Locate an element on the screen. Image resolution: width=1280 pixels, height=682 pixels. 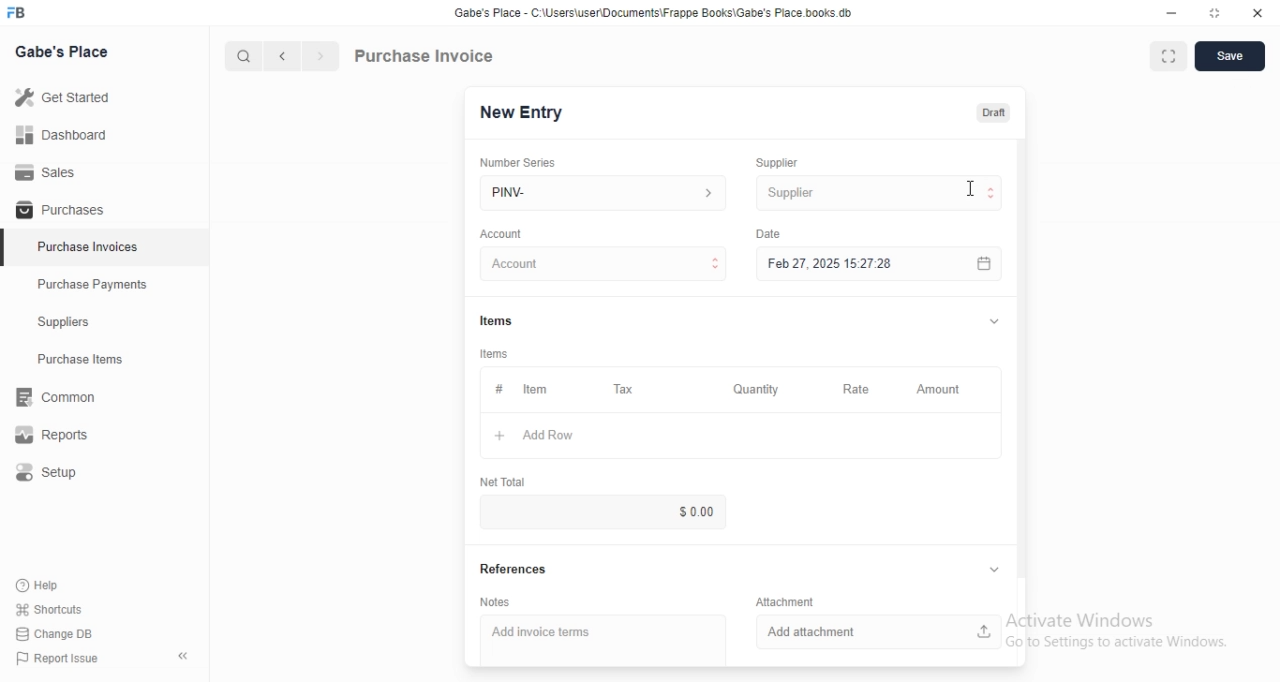
Purchase Items is located at coordinates (105, 359).